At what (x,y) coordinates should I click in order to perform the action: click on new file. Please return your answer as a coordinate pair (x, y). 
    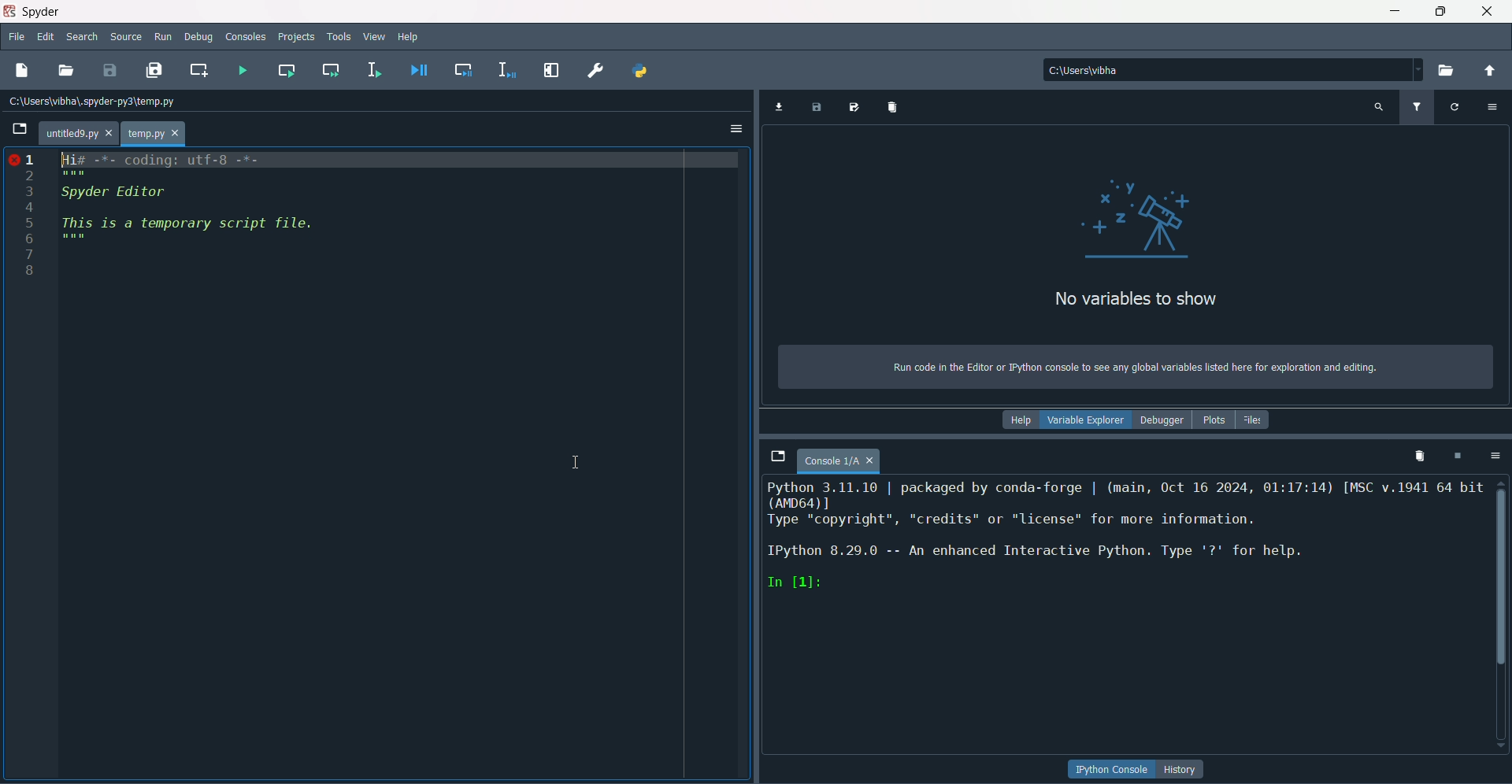
    Looking at the image, I should click on (22, 70).